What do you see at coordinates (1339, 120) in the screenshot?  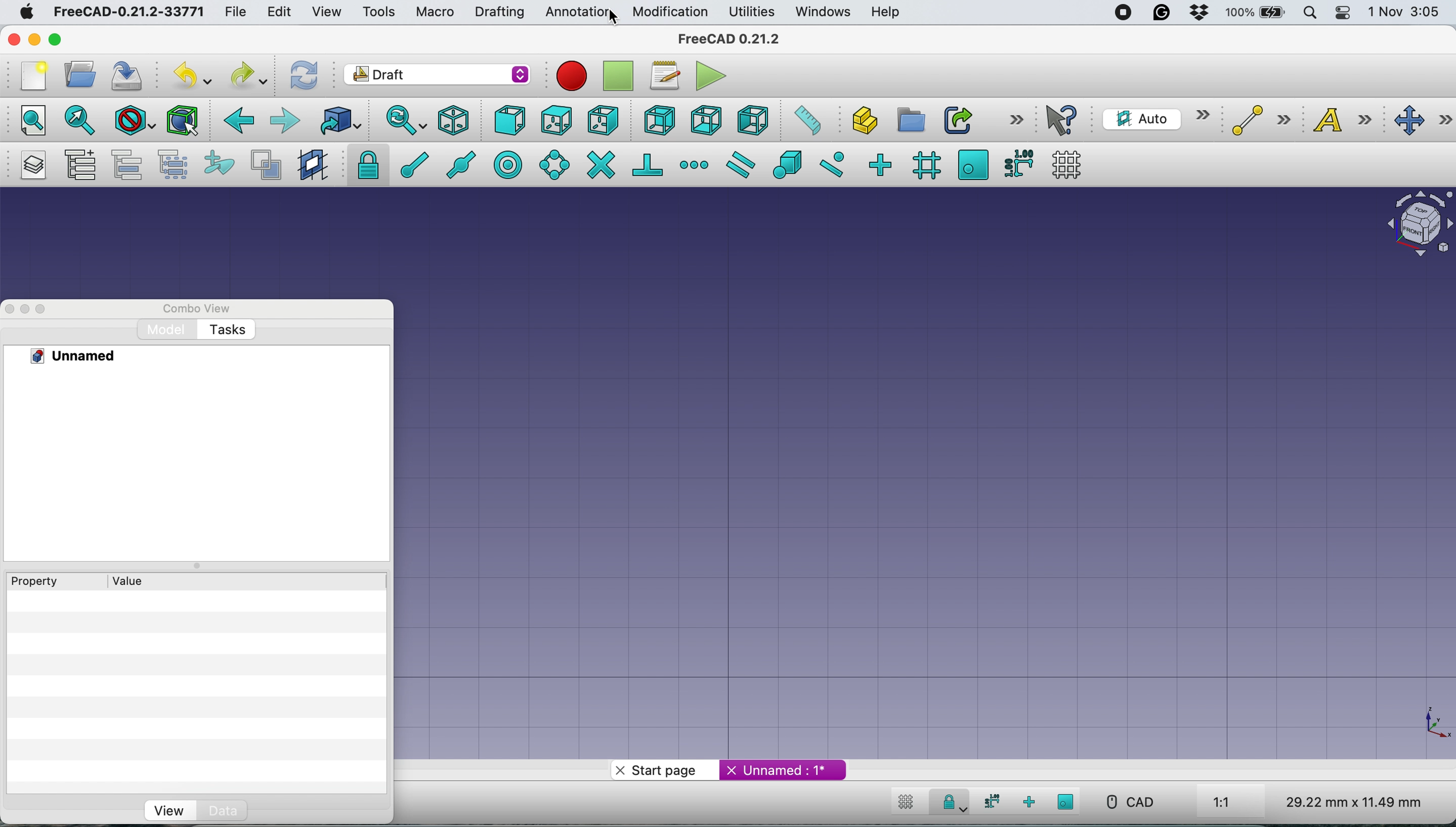 I see `text` at bounding box center [1339, 120].